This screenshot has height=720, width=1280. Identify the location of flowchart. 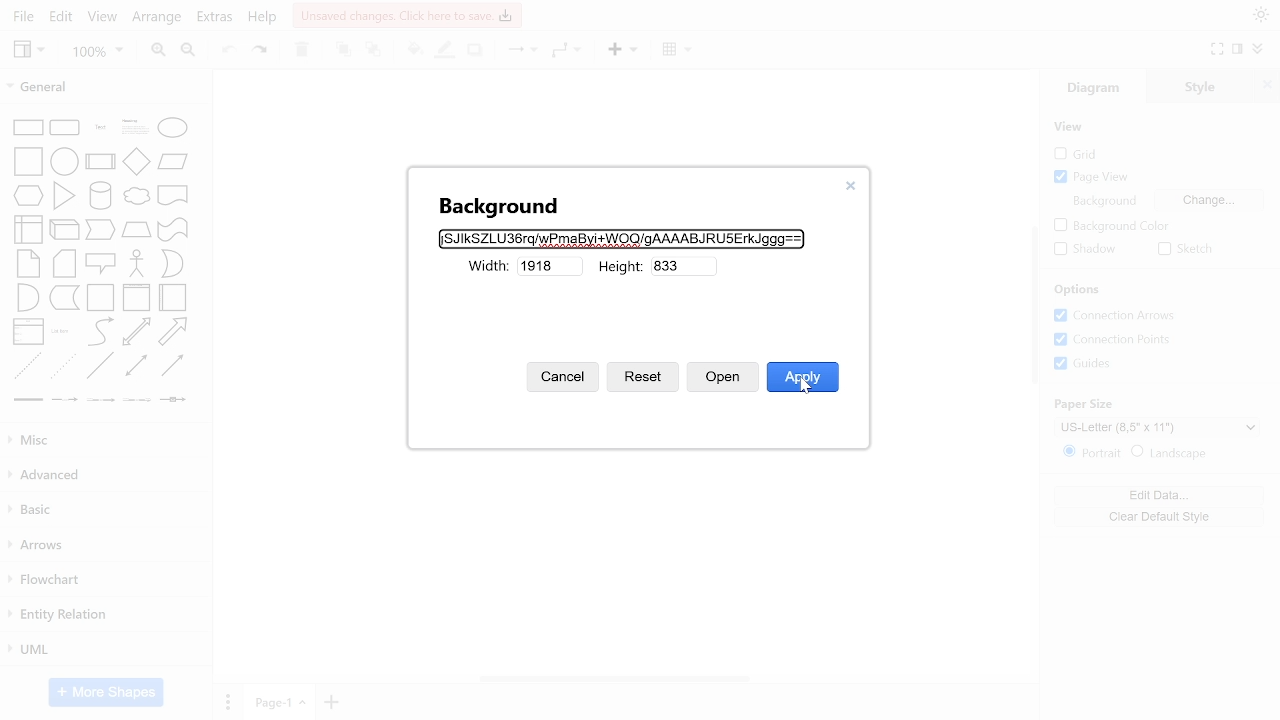
(102, 582).